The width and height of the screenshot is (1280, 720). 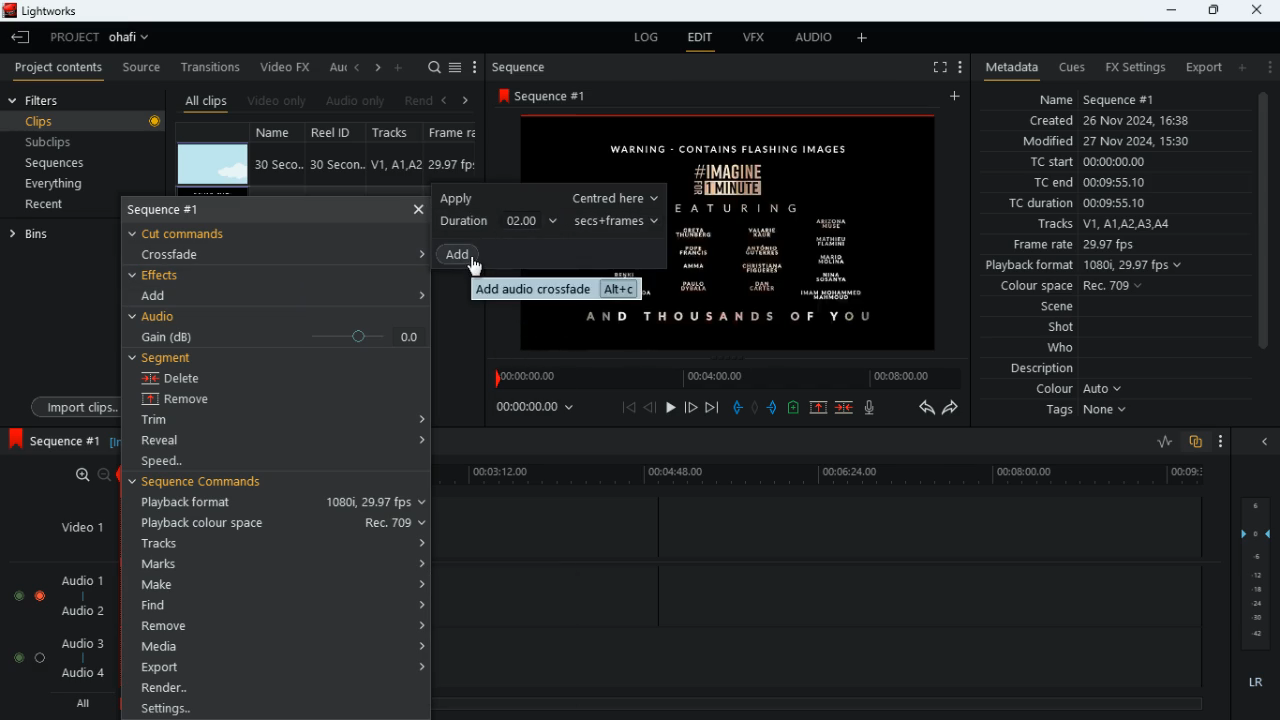 What do you see at coordinates (282, 543) in the screenshot?
I see `tracks` at bounding box center [282, 543].